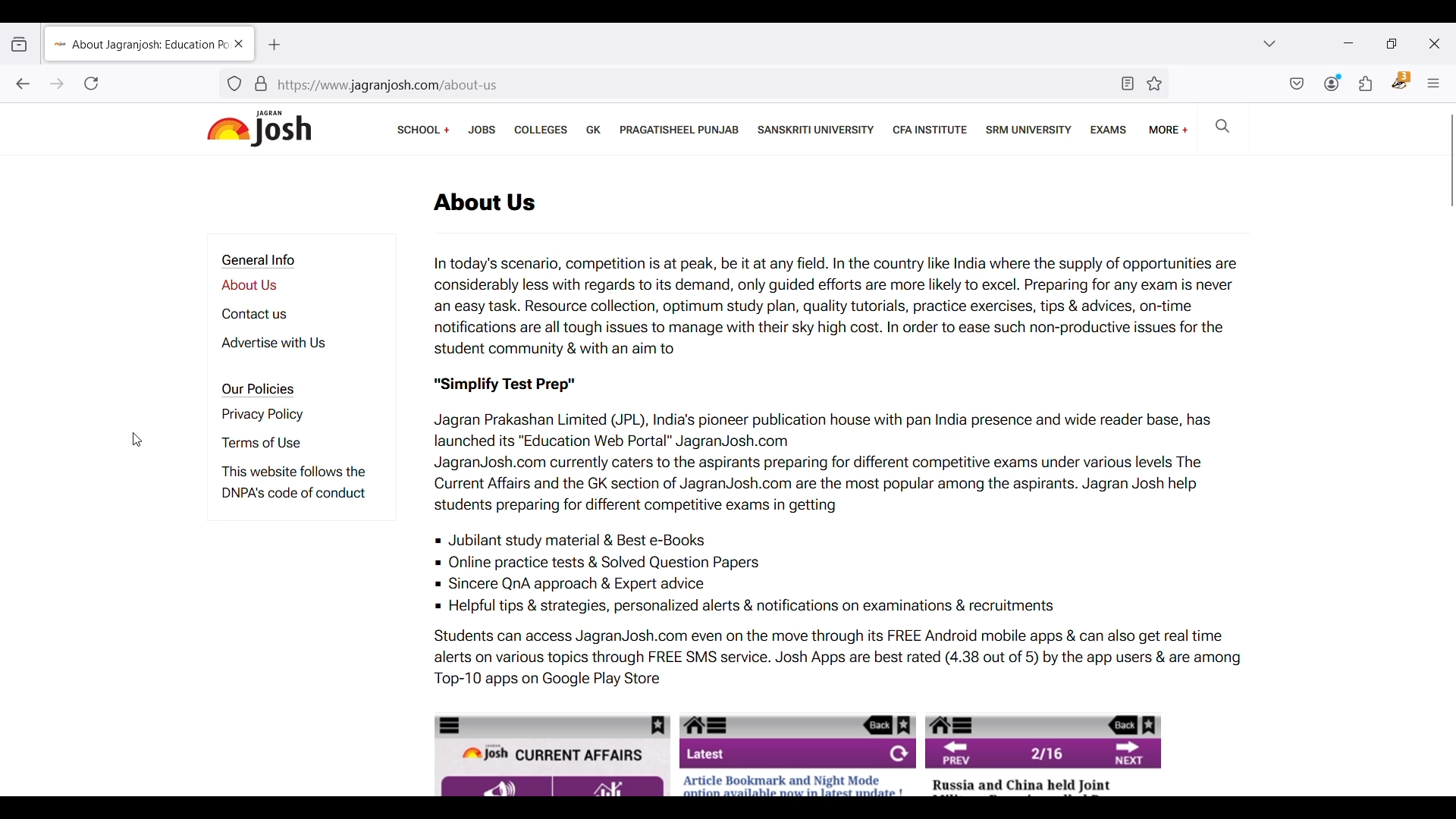  Describe the element at coordinates (542, 127) in the screenshot. I see `Colleges page` at that location.